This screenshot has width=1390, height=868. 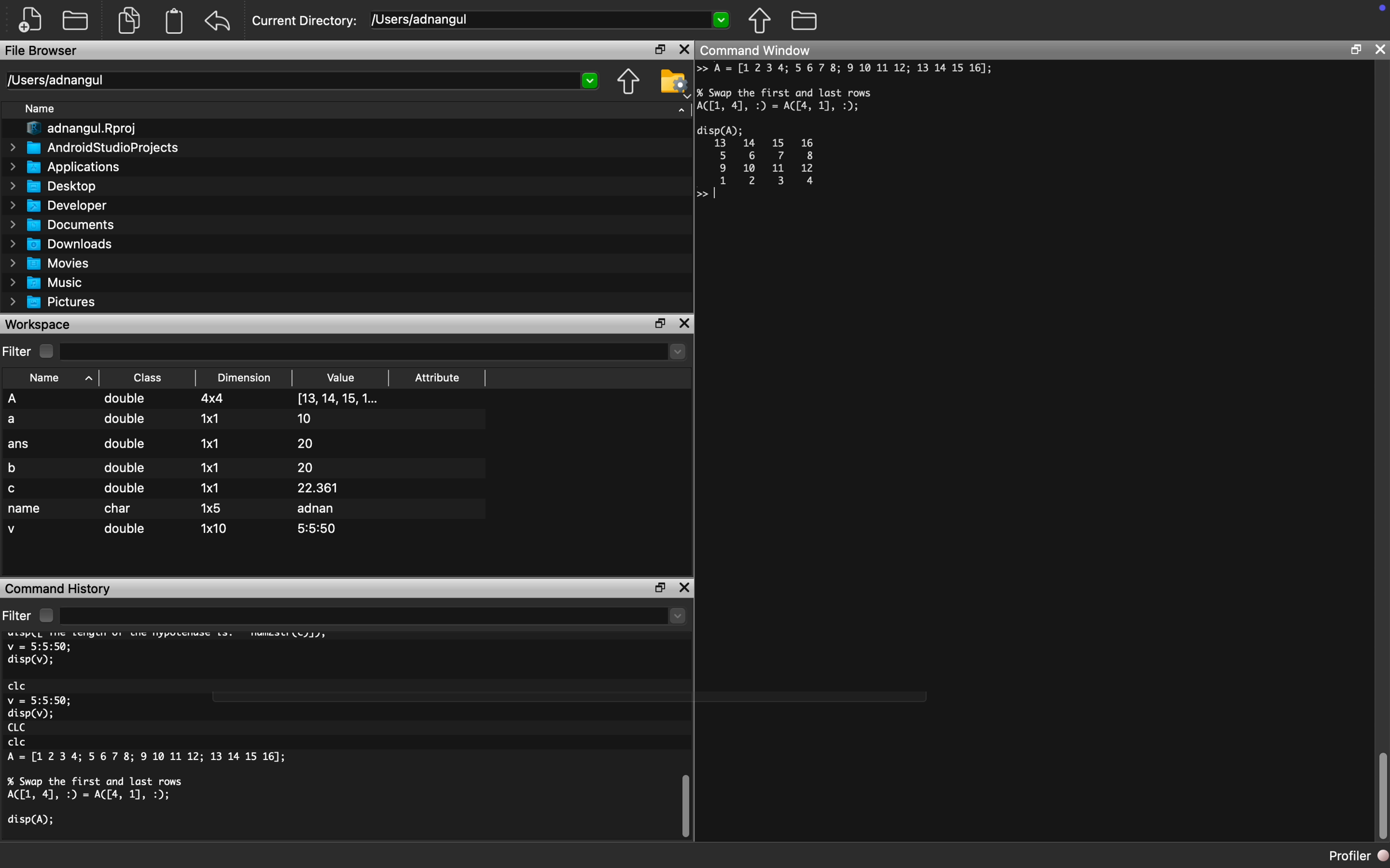 I want to click on > [@ Downloads, so click(x=62, y=245).